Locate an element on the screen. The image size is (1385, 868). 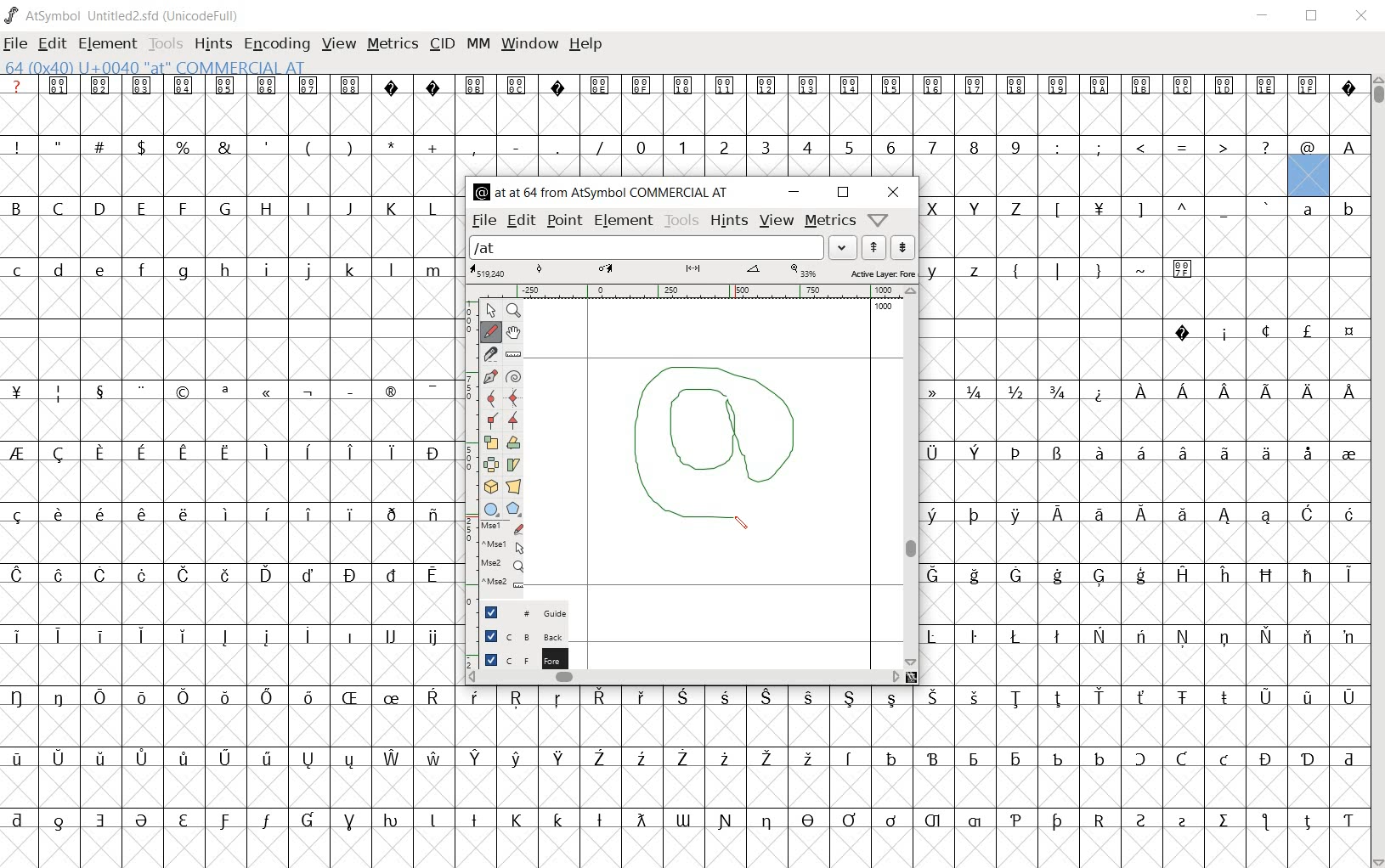
view is located at coordinates (777, 222).